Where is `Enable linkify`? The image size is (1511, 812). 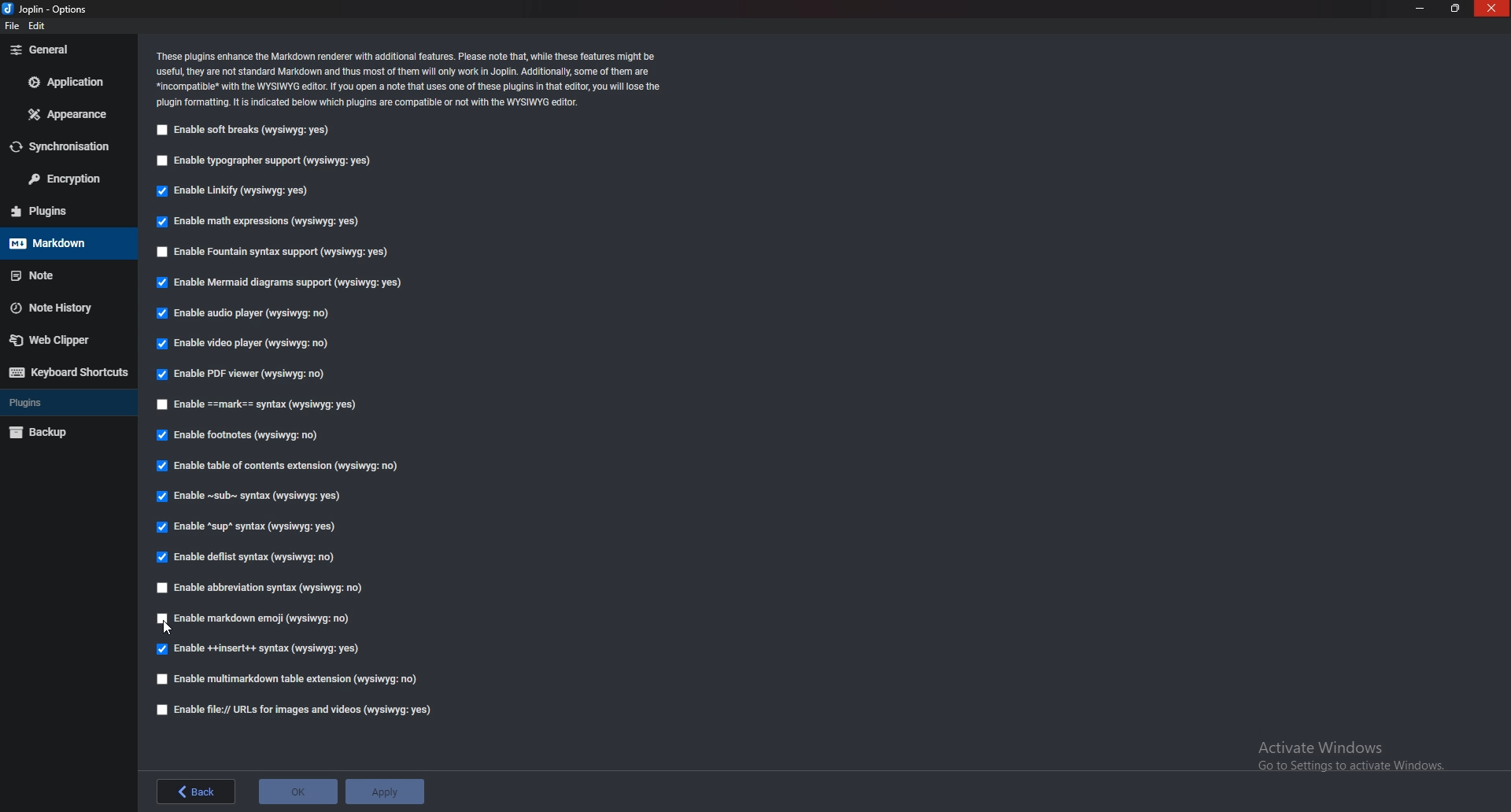 Enable linkify is located at coordinates (240, 190).